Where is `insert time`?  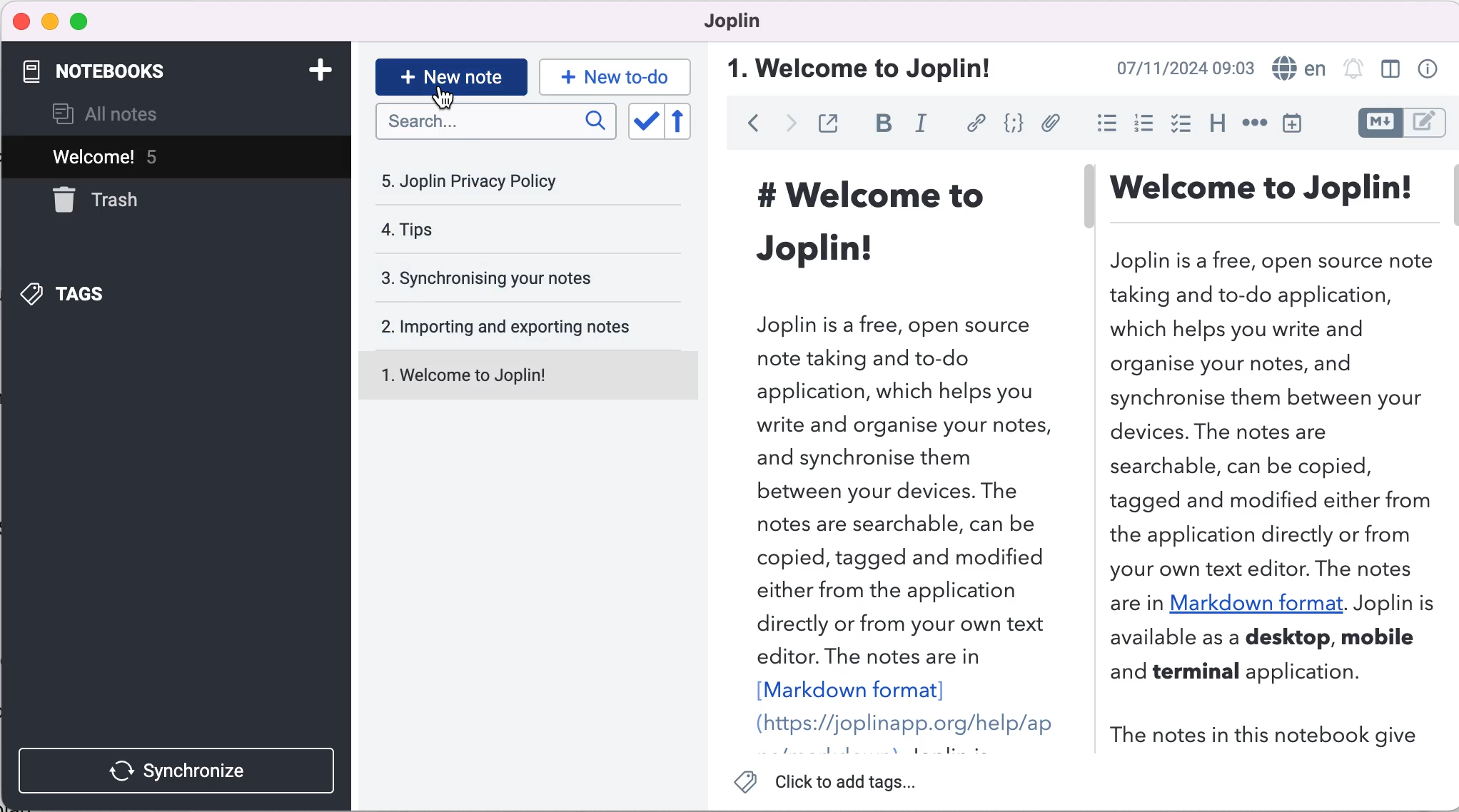 insert time is located at coordinates (1293, 127).